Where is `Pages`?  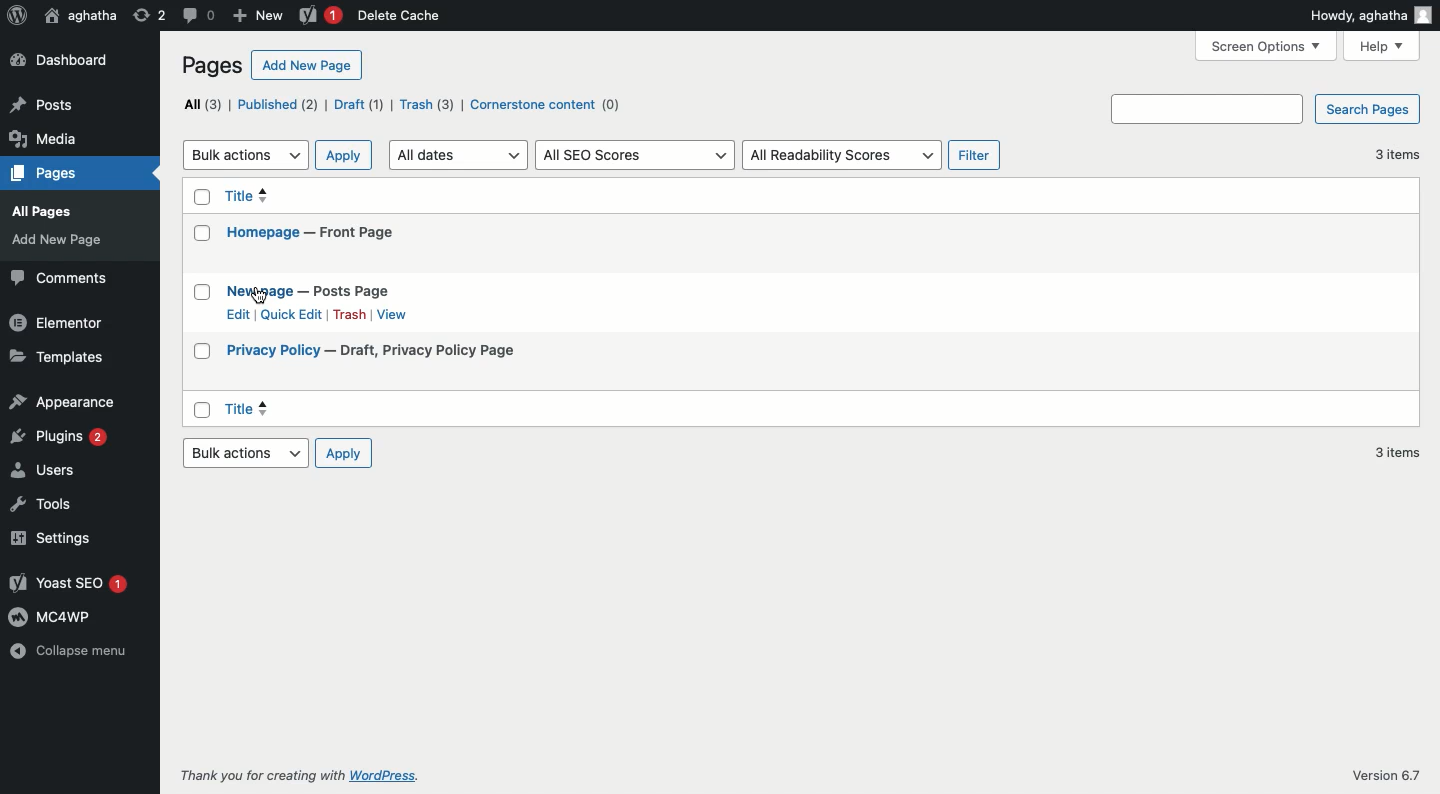
Pages is located at coordinates (212, 66).